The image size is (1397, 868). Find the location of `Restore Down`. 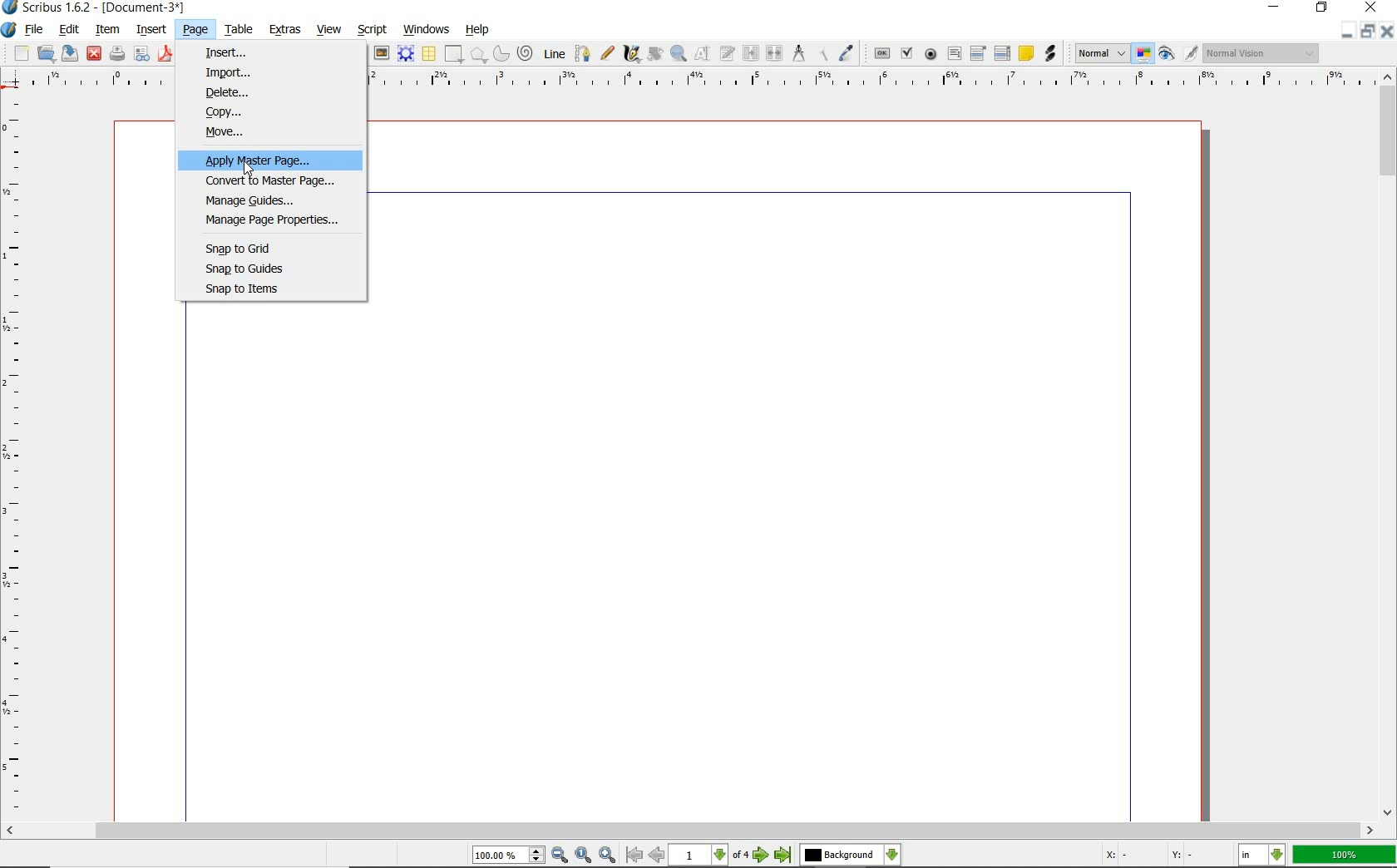

Restore Down is located at coordinates (1346, 33).